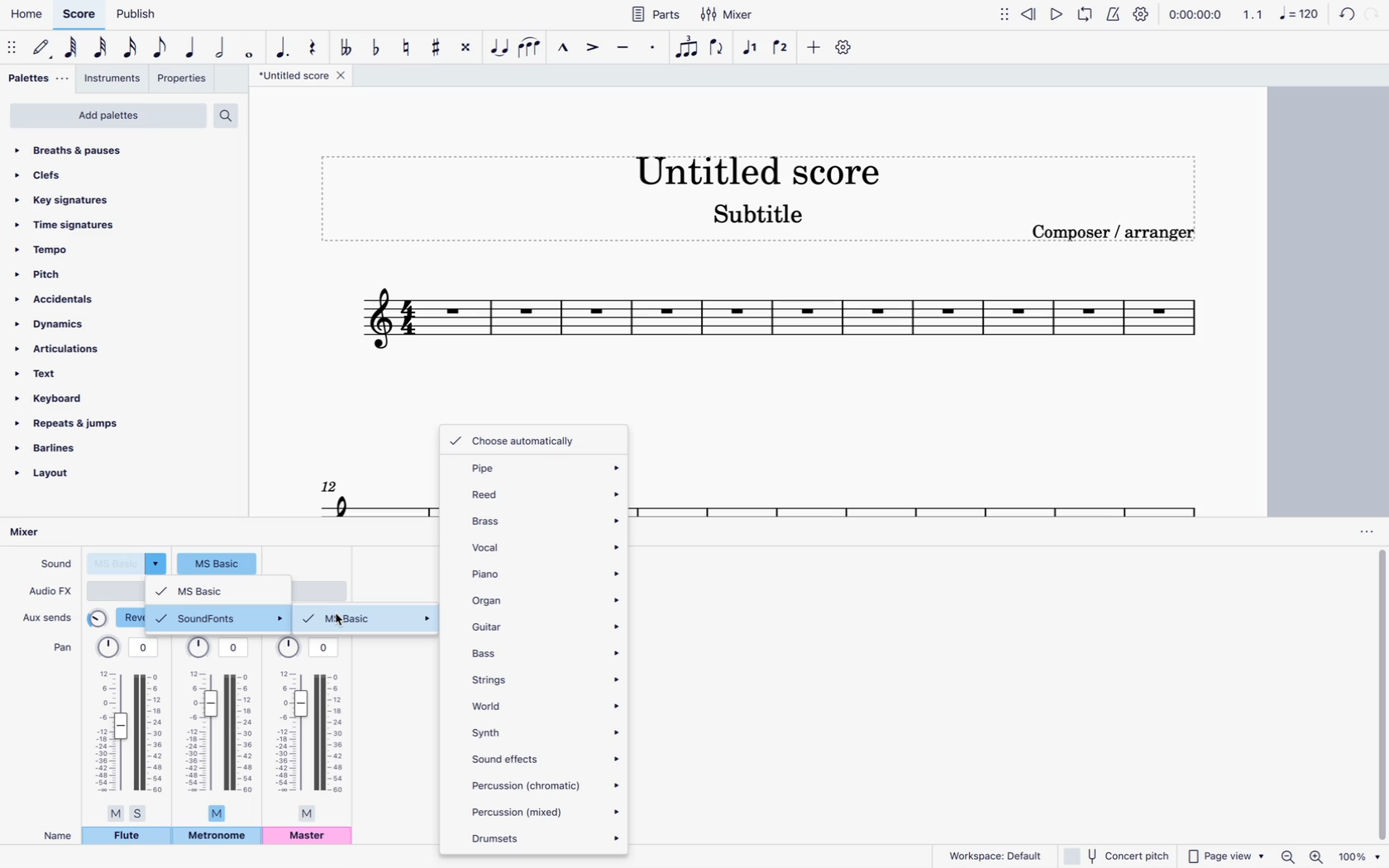 The image size is (1389, 868). Describe the element at coordinates (43, 48) in the screenshot. I see `default` at that location.